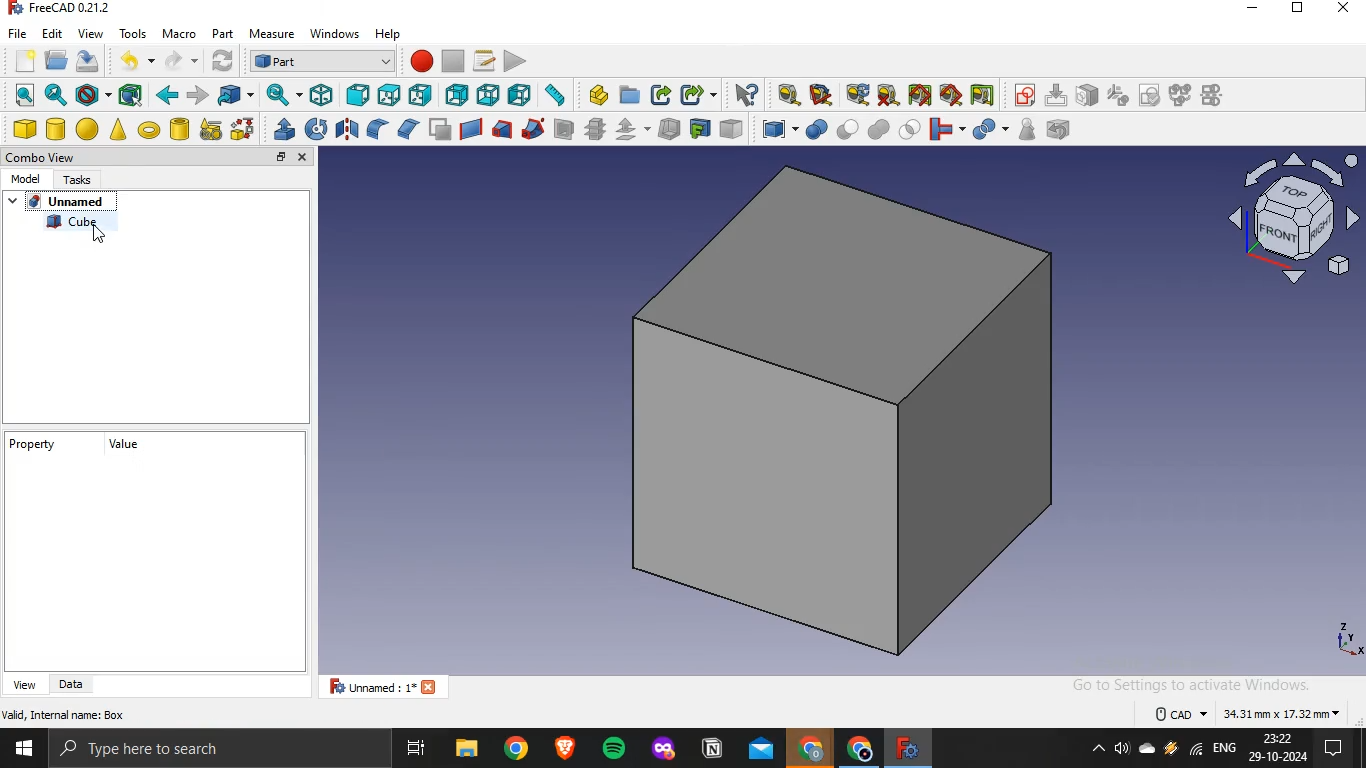 This screenshot has height=768, width=1366. I want to click on outlook, so click(762, 751).